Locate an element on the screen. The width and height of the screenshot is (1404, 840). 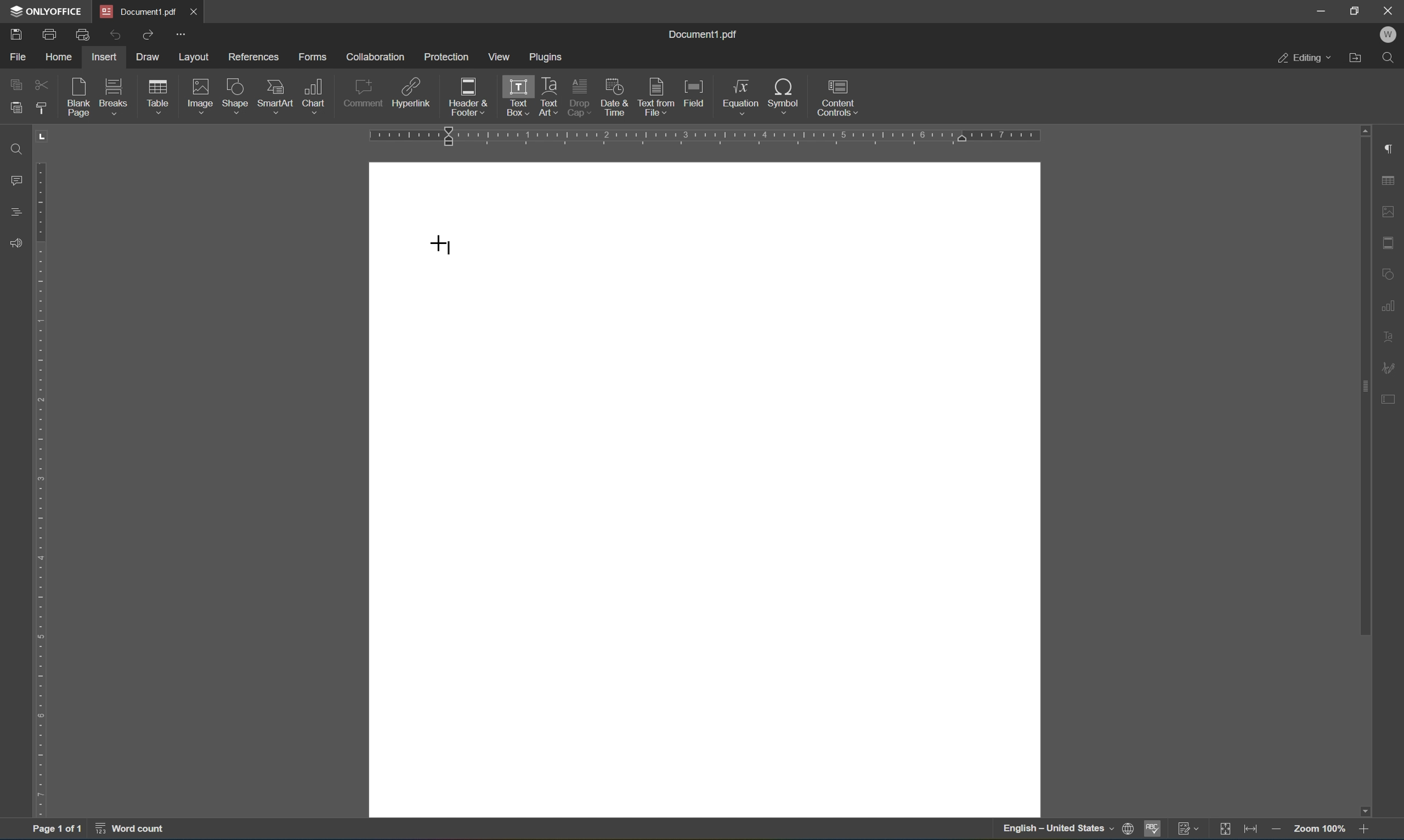
Shape settings is located at coordinates (1389, 273).